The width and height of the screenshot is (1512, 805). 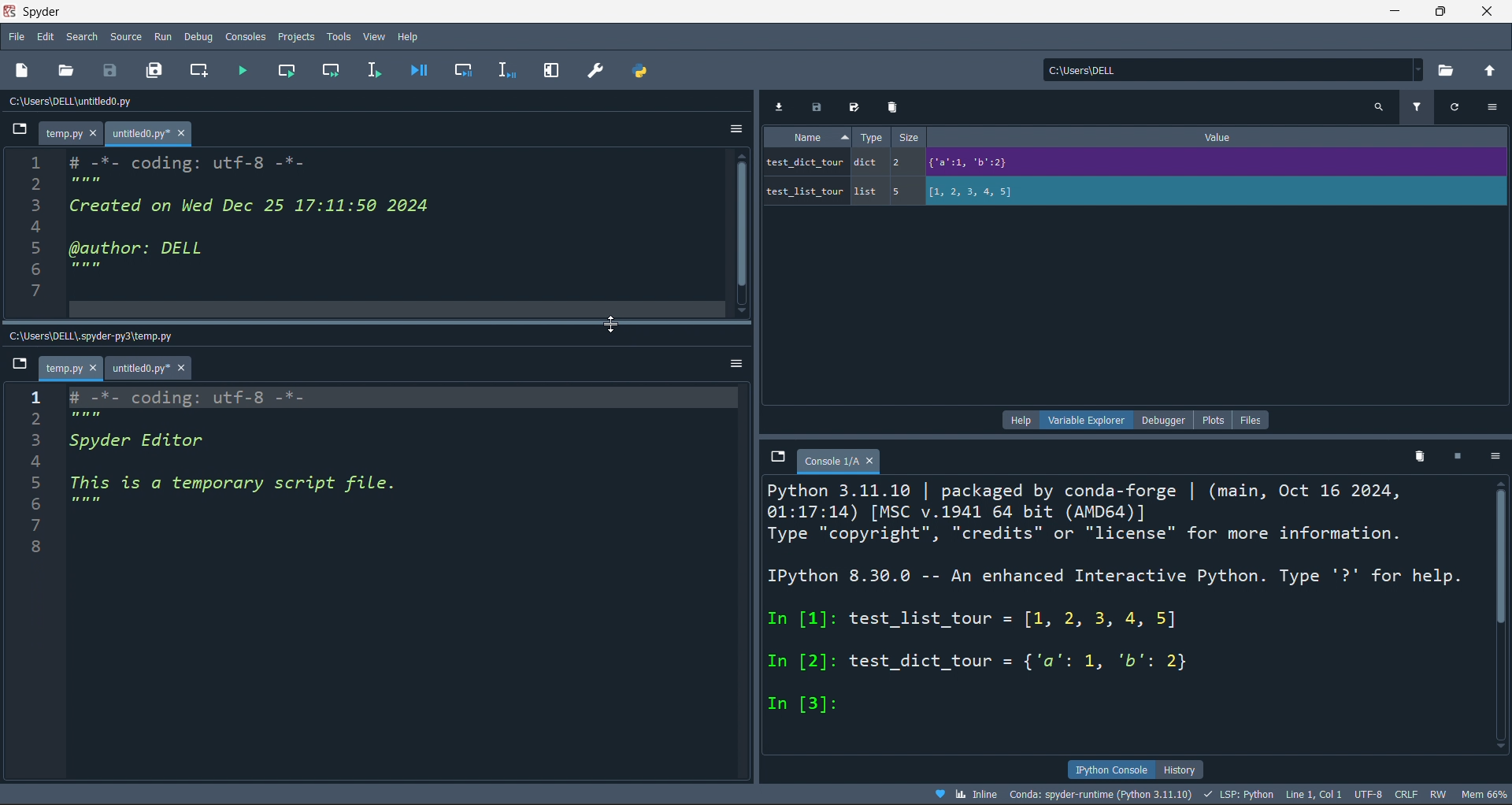 What do you see at coordinates (1158, 419) in the screenshot?
I see `debugger` at bounding box center [1158, 419].